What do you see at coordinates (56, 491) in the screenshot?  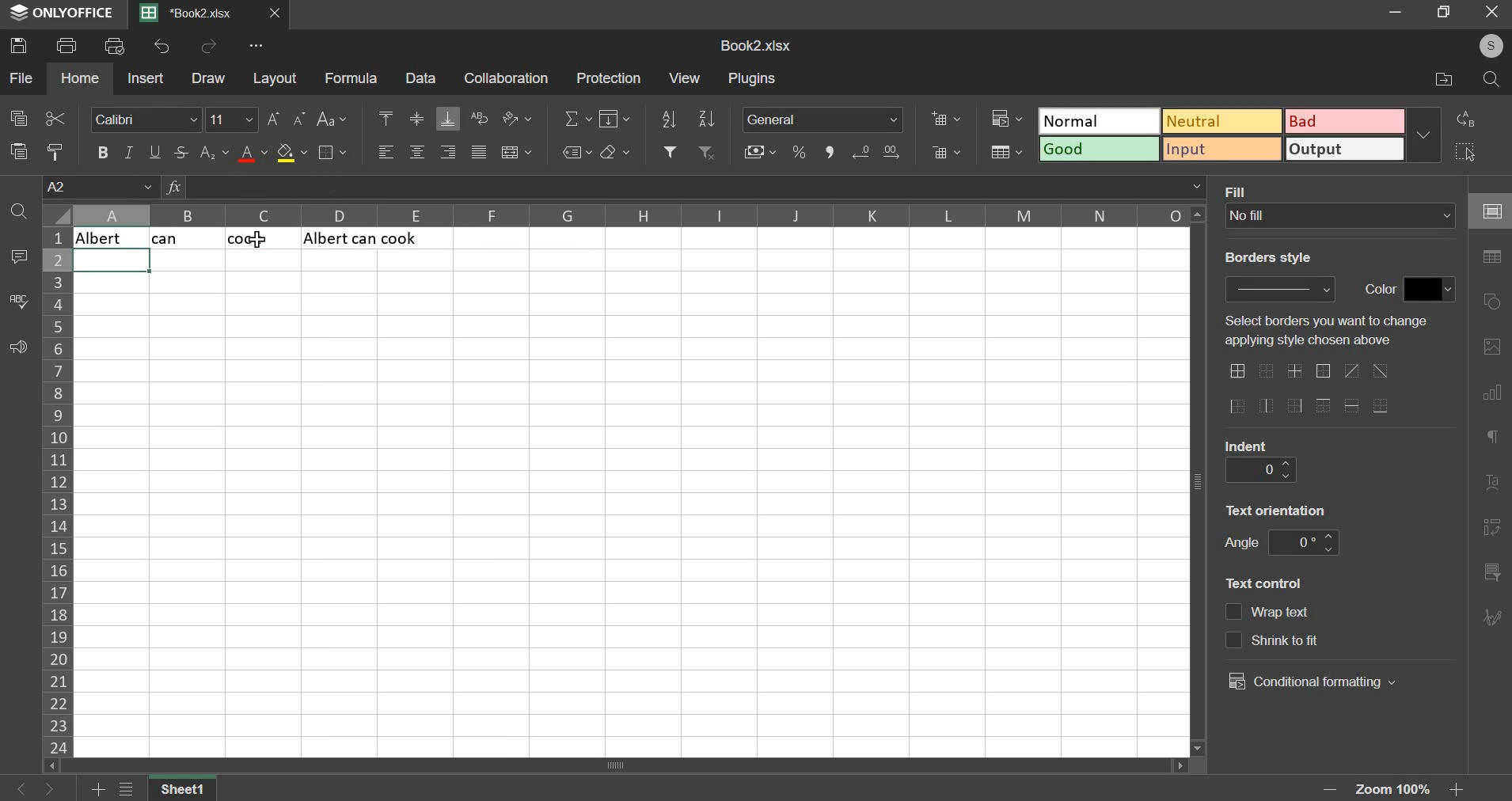 I see `column` at bounding box center [56, 491].